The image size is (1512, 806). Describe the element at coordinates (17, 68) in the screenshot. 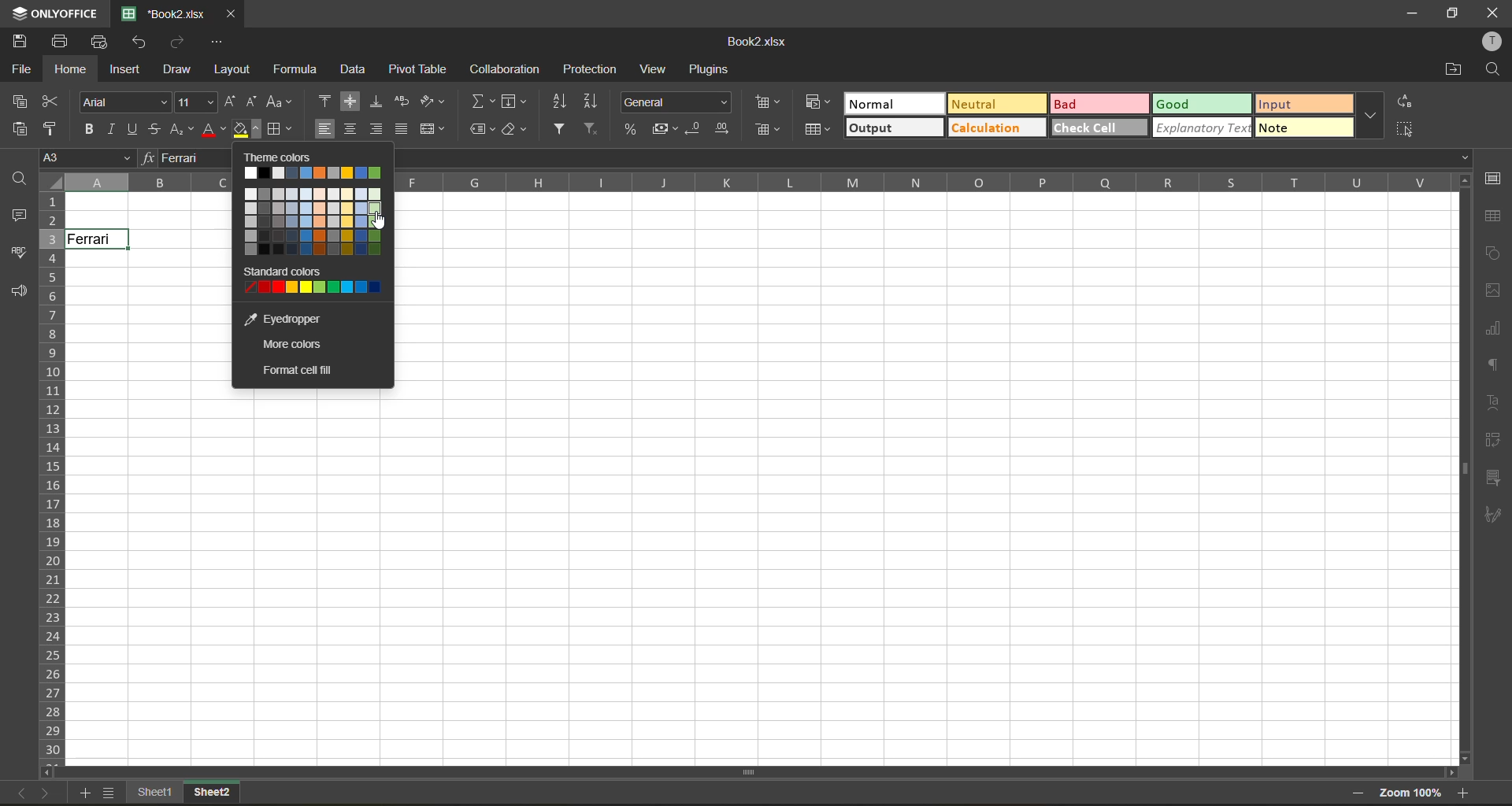

I see `file` at that location.